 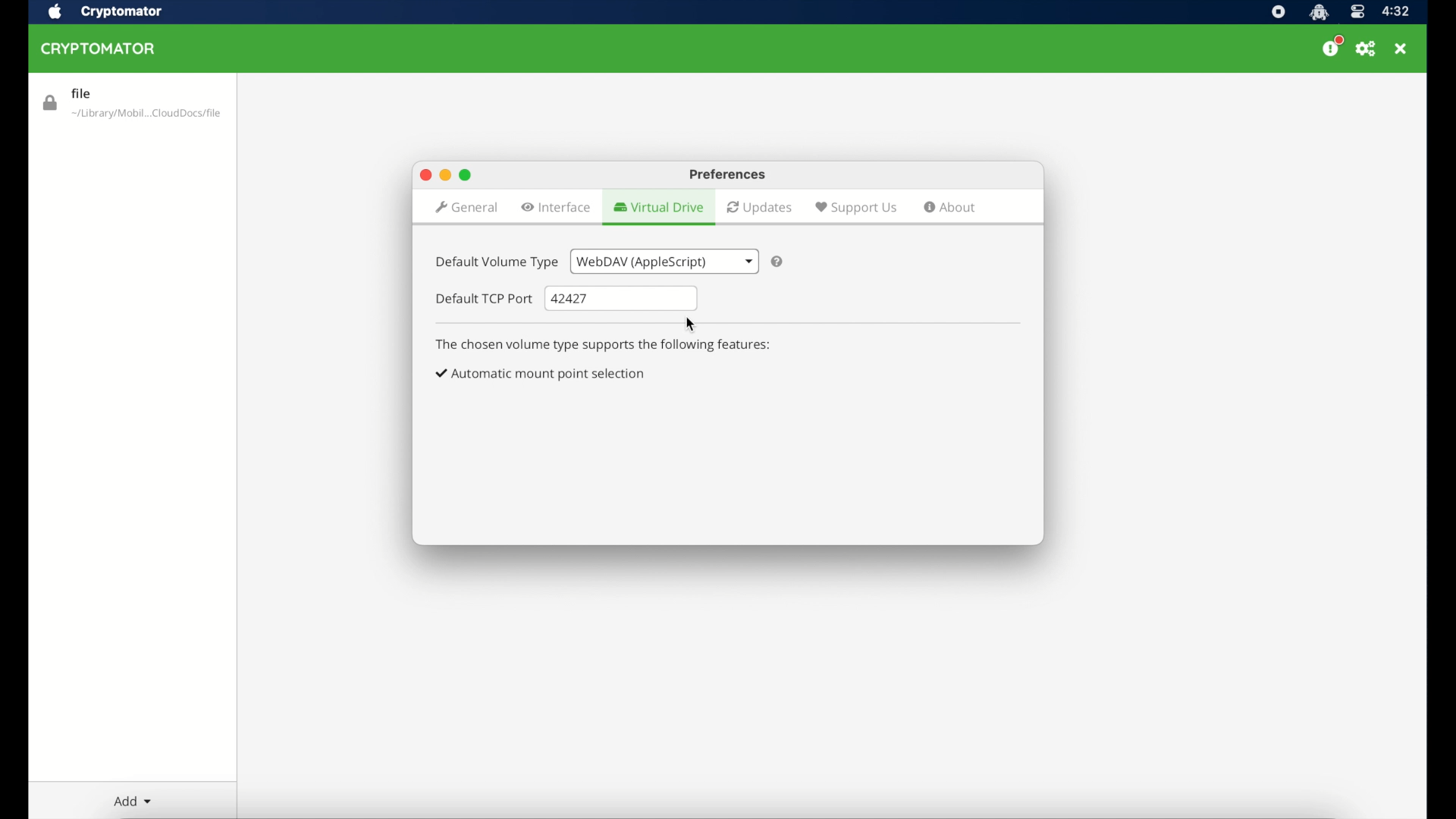 I want to click on close, so click(x=1401, y=49).